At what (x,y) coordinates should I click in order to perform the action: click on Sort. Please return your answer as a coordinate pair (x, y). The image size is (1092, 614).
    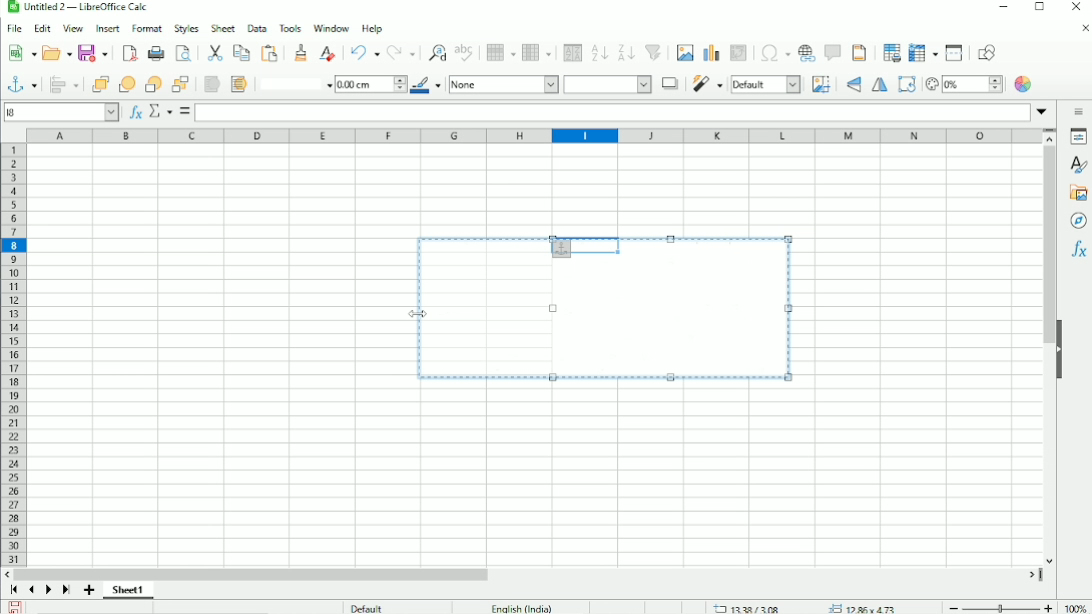
    Looking at the image, I should click on (570, 52).